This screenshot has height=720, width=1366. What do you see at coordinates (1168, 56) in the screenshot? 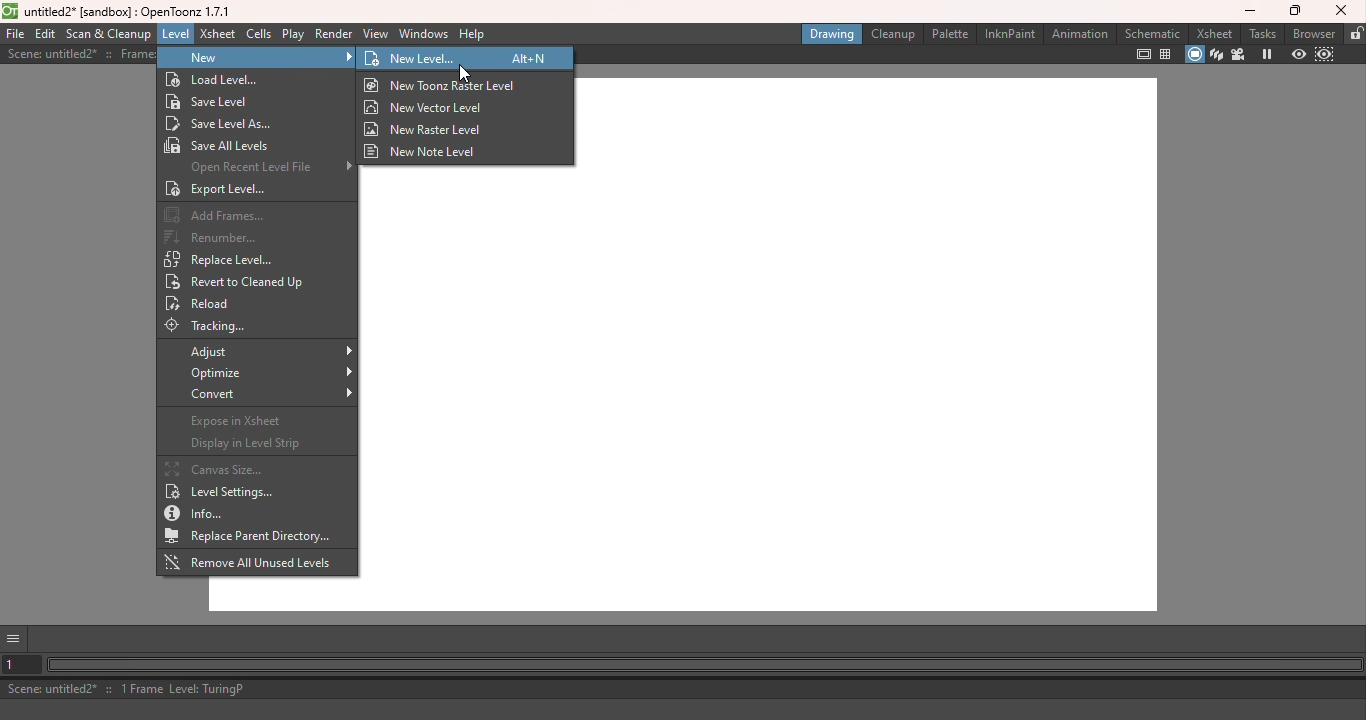
I see `Field guide` at bounding box center [1168, 56].